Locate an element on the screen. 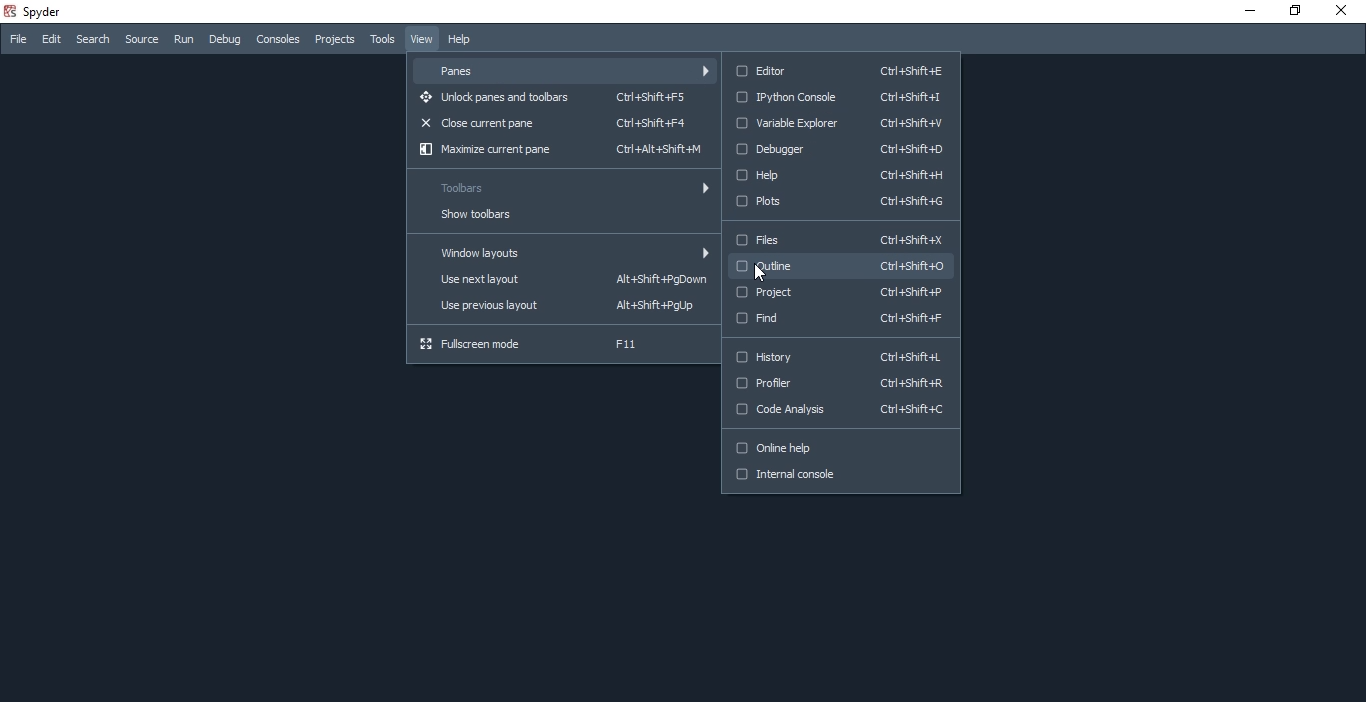  Debugger is located at coordinates (844, 149).